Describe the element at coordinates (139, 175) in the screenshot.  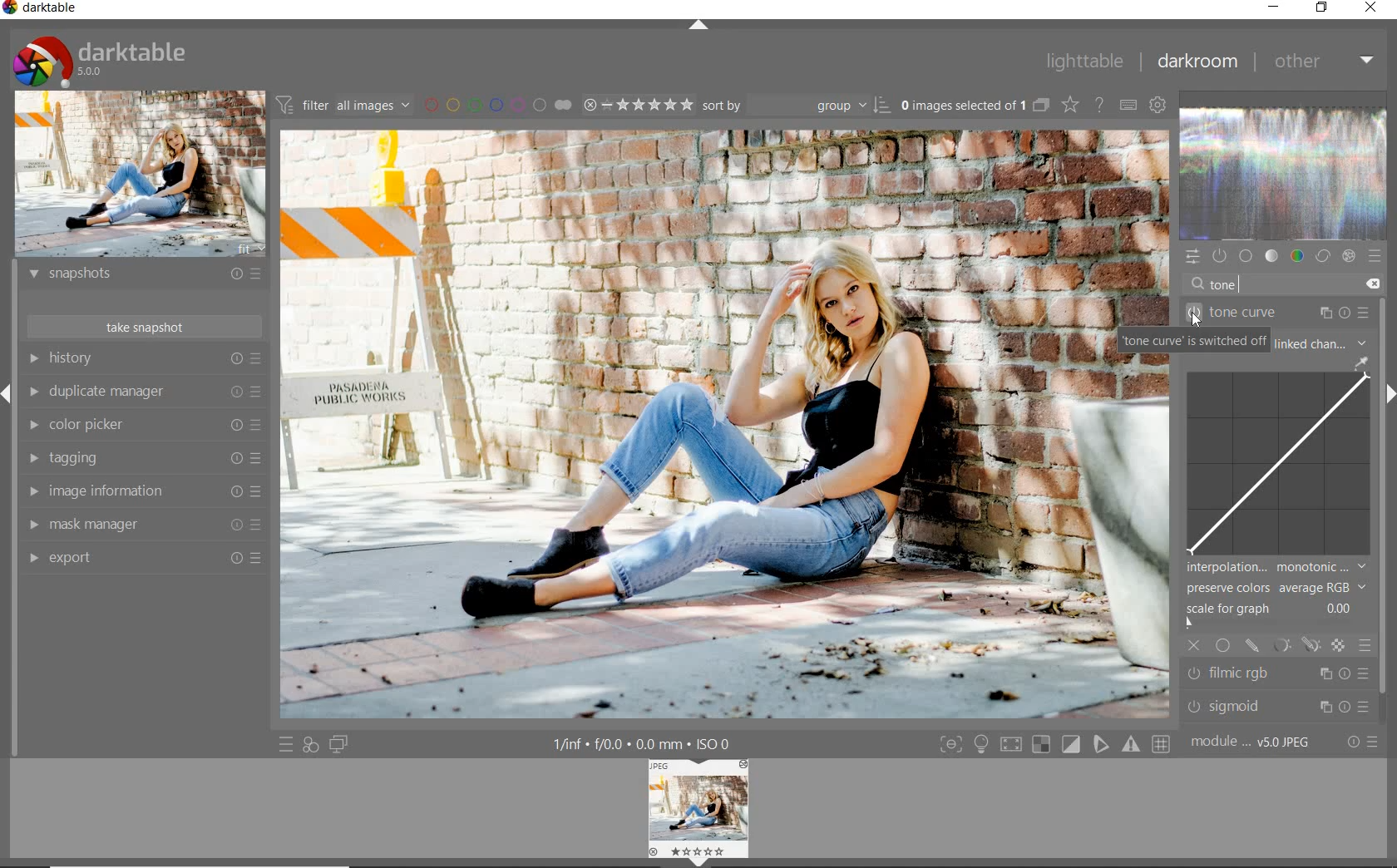
I see `image preview` at that location.